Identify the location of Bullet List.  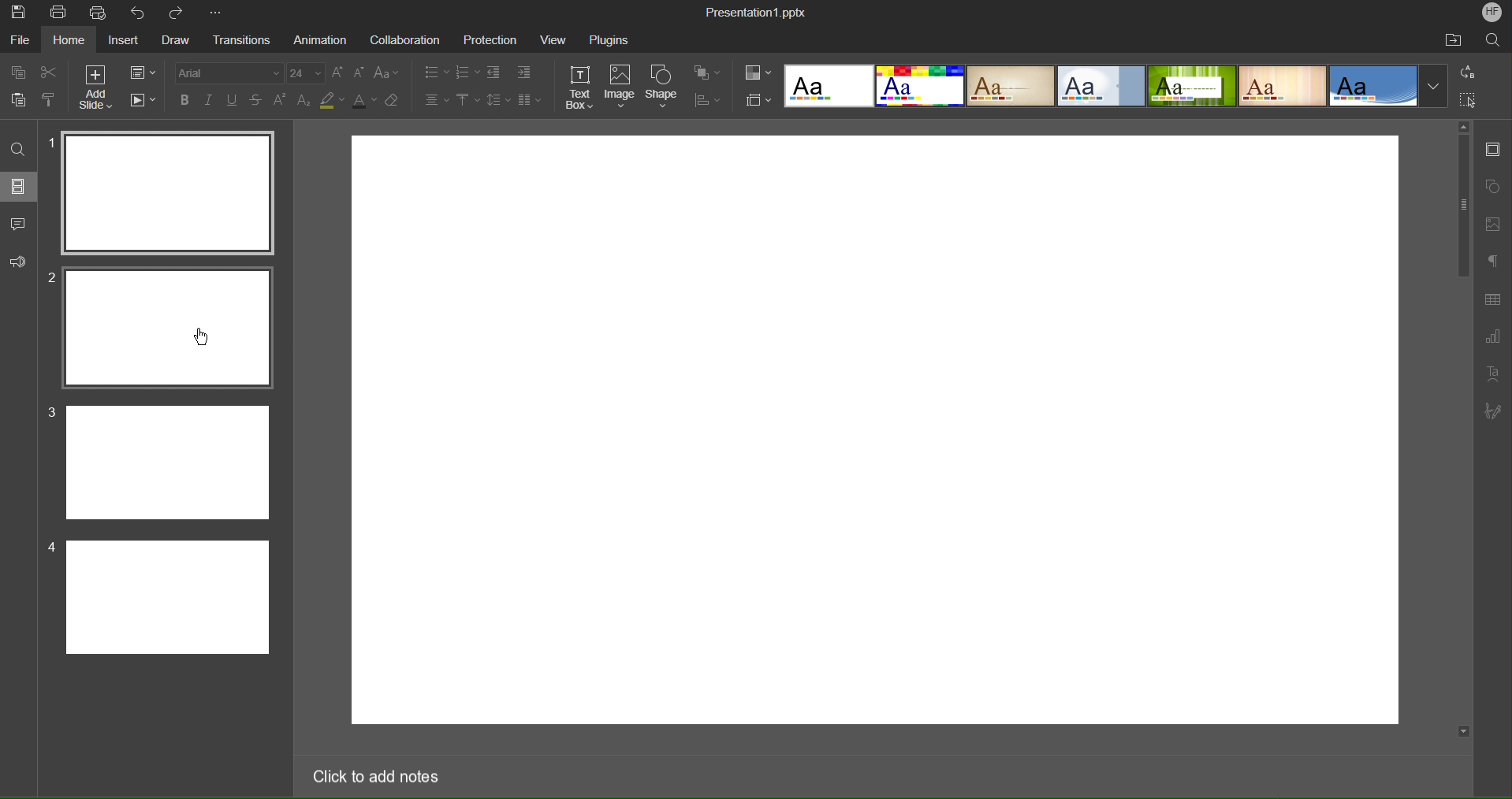
(437, 71).